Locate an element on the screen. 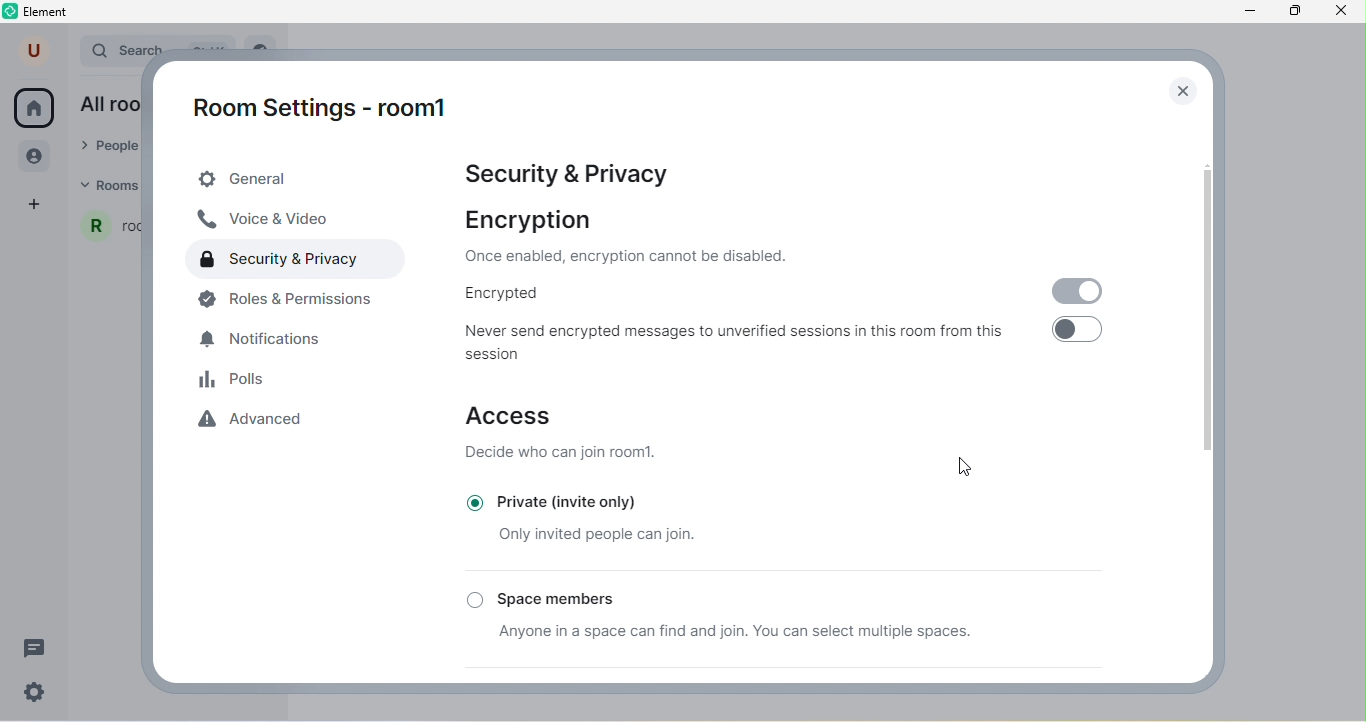 The image size is (1366, 722). maximize is located at coordinates (1298, 13).